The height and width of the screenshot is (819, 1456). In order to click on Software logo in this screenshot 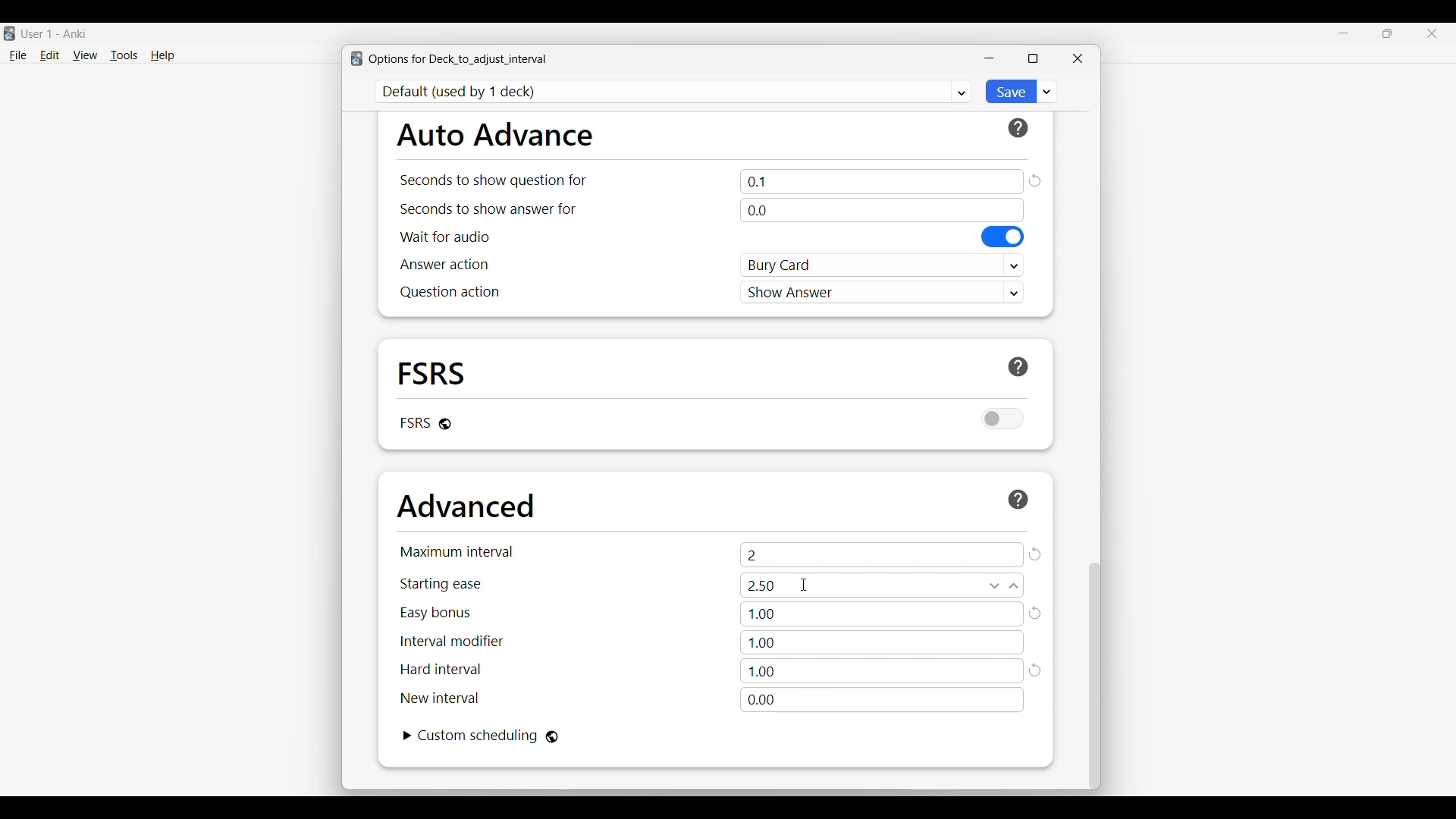, I will do `click(356, 58)`.